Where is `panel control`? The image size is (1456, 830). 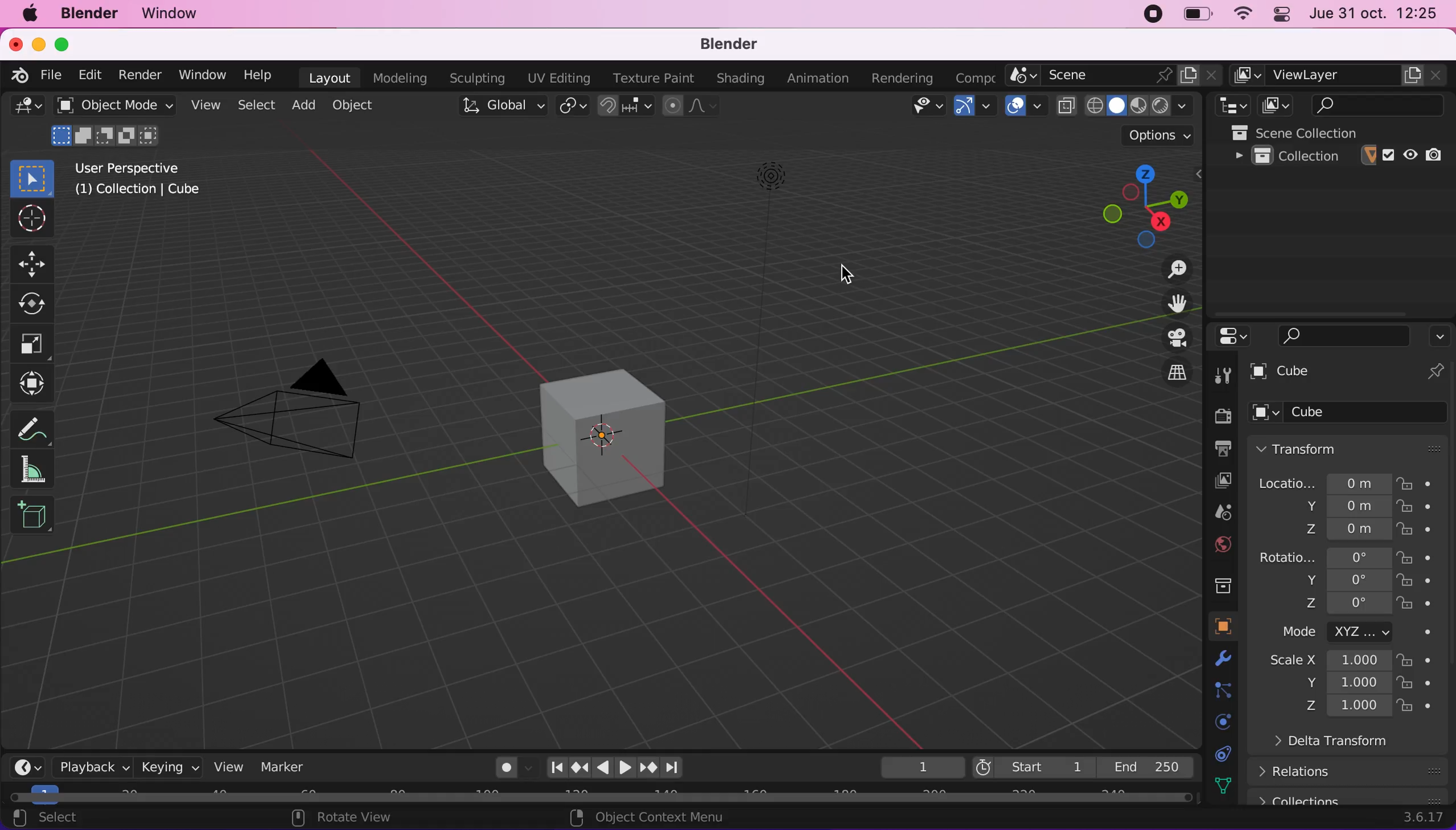
panel control is located at coordinates (1281, 14).